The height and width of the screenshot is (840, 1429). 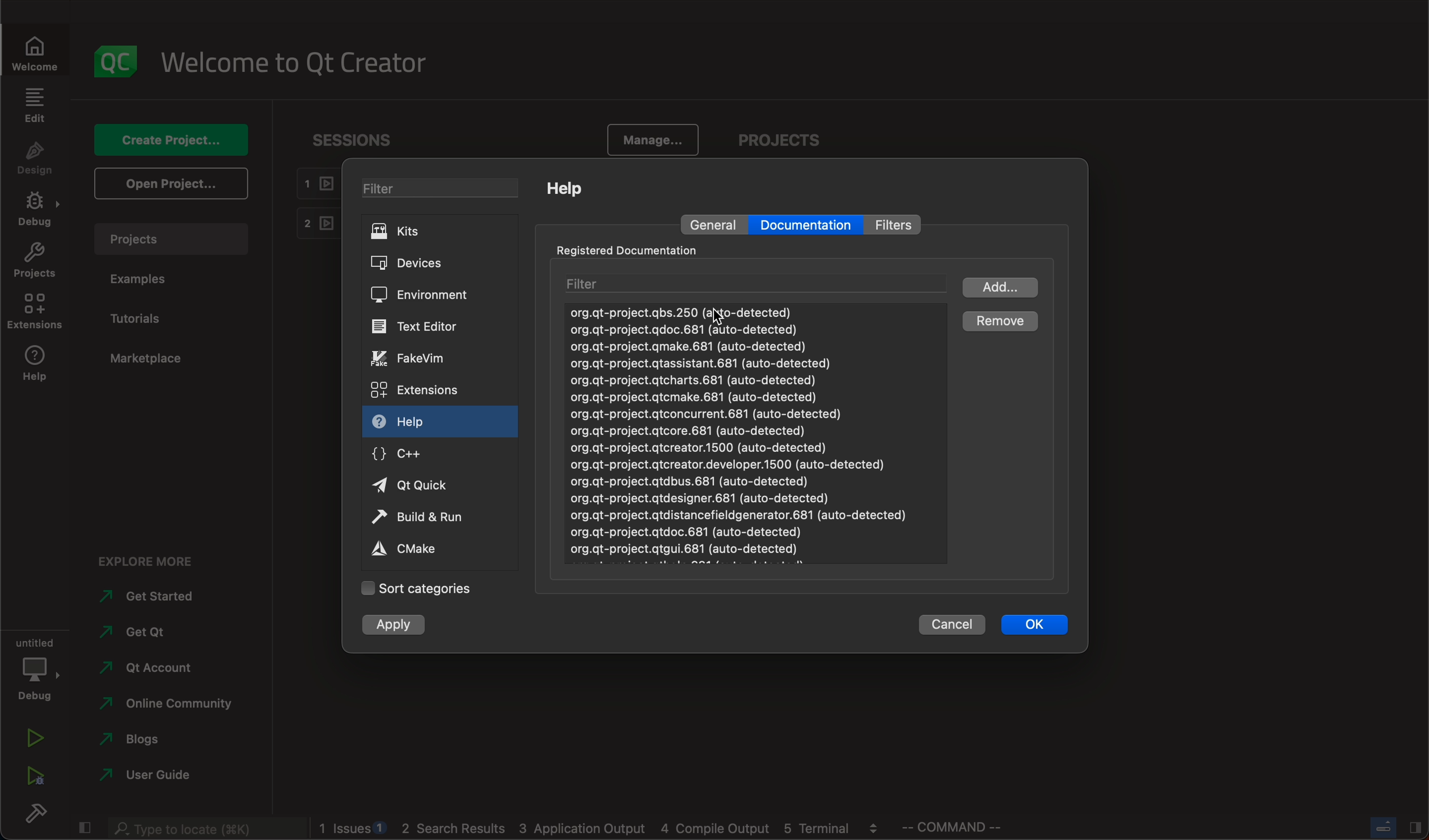 I want to click on help, so click(x=412, y=422).